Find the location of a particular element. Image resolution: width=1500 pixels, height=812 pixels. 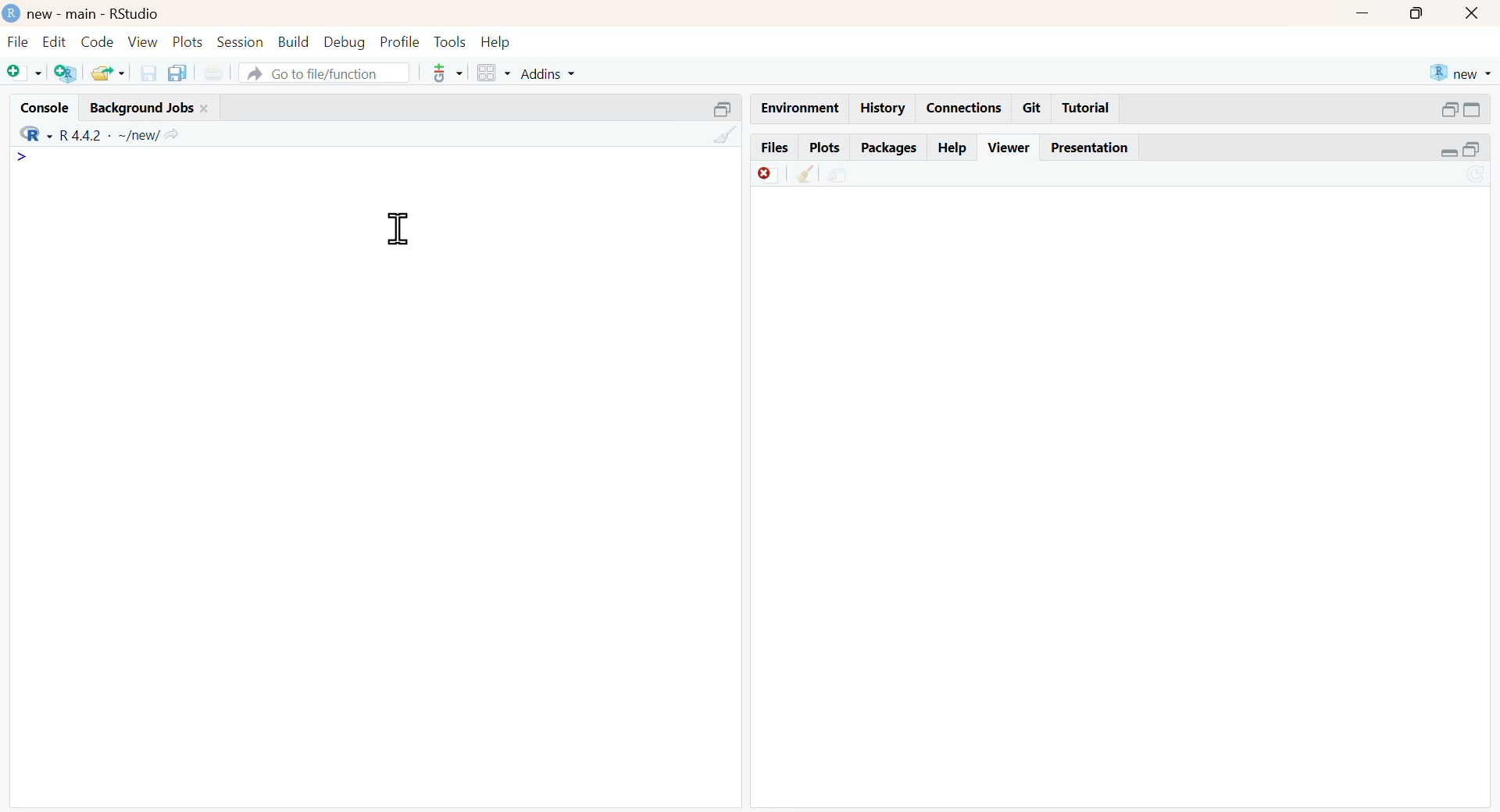

Show in new window is located at coordinates (837, 173).